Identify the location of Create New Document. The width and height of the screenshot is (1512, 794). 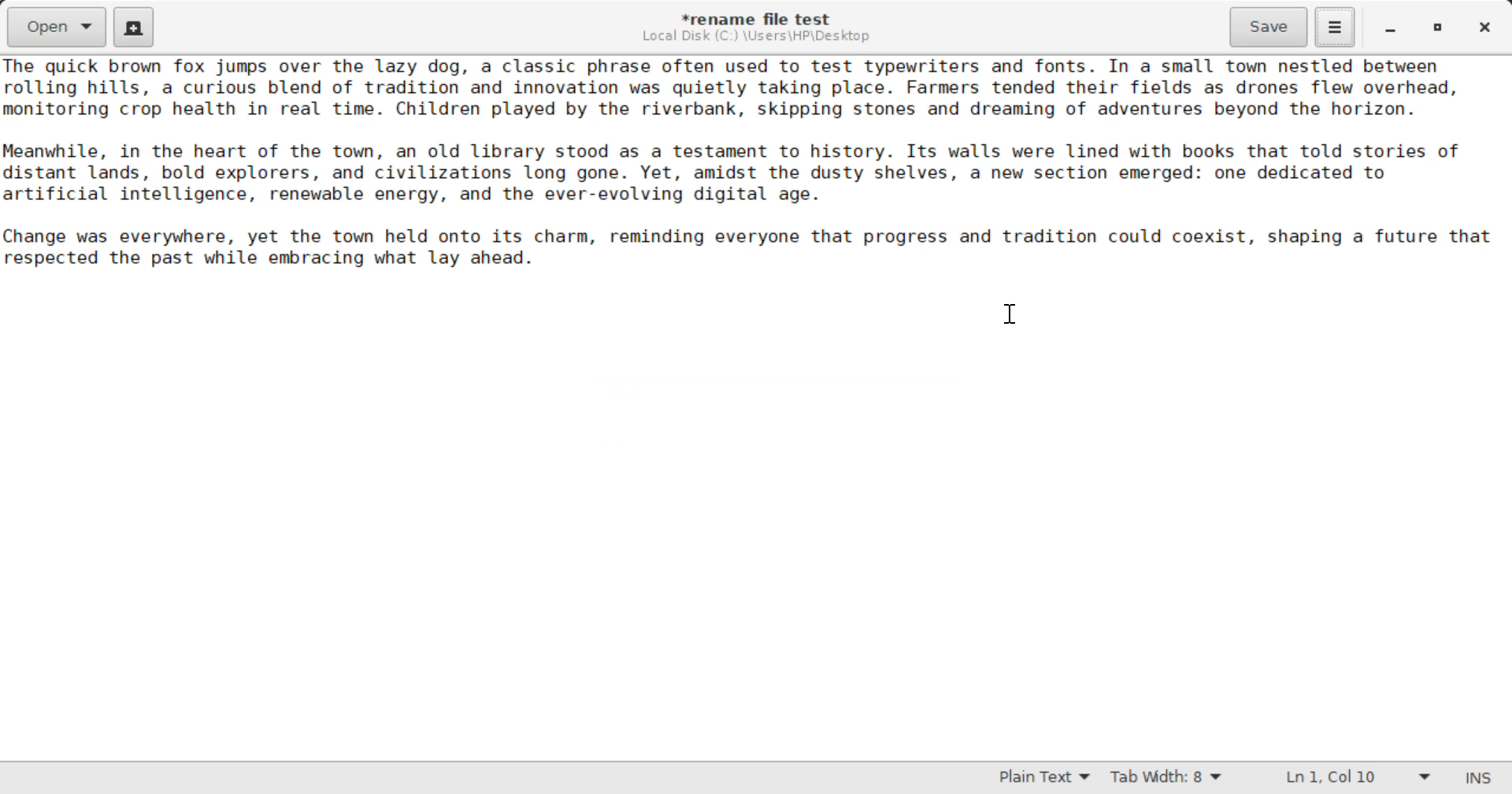
(136, 27).